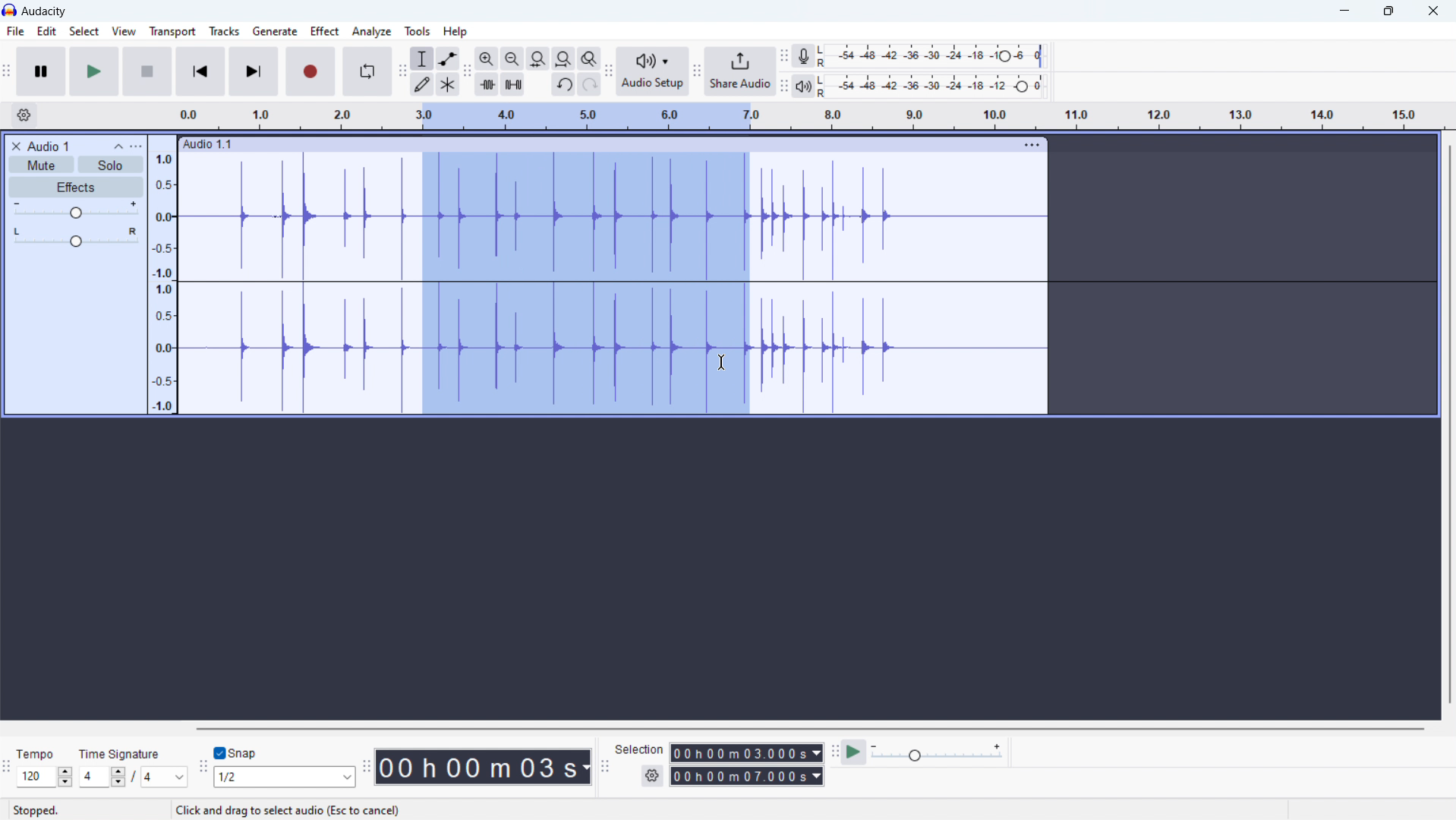 The image size is (1456, 820). I want to click on mute, so click(41, 165).